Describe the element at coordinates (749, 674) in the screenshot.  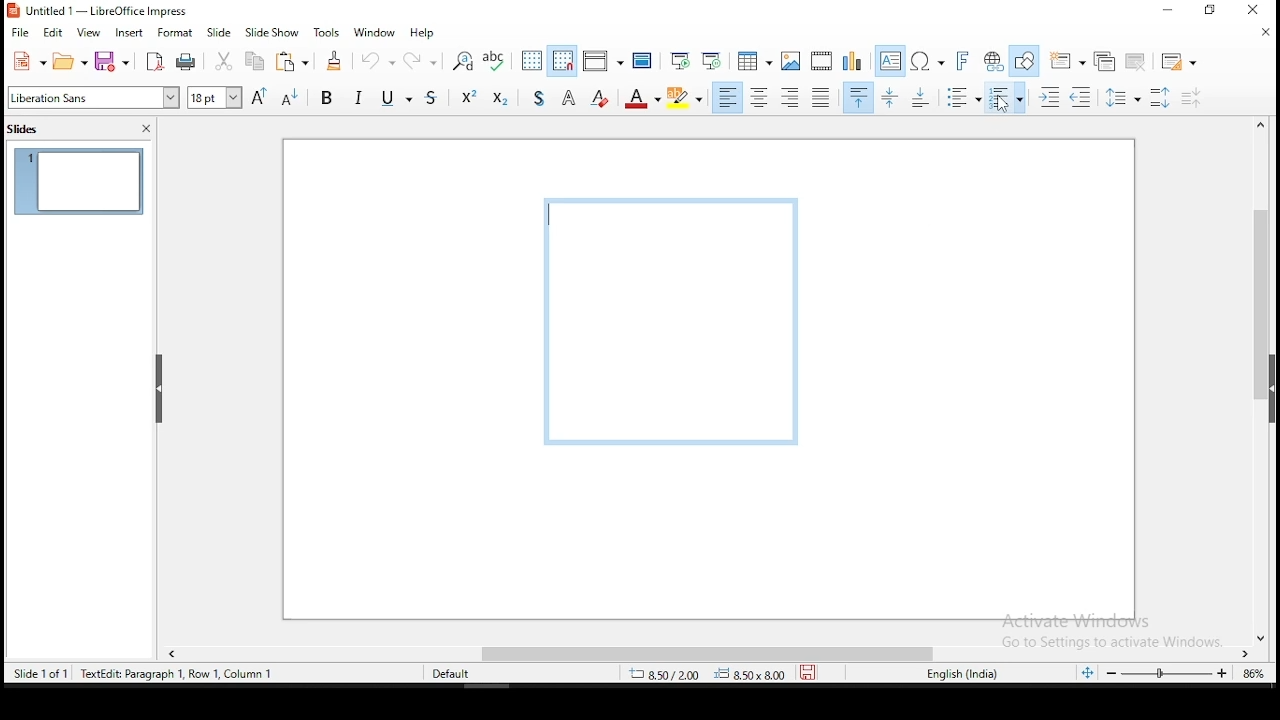
I see `0.00x0.00` at that location.